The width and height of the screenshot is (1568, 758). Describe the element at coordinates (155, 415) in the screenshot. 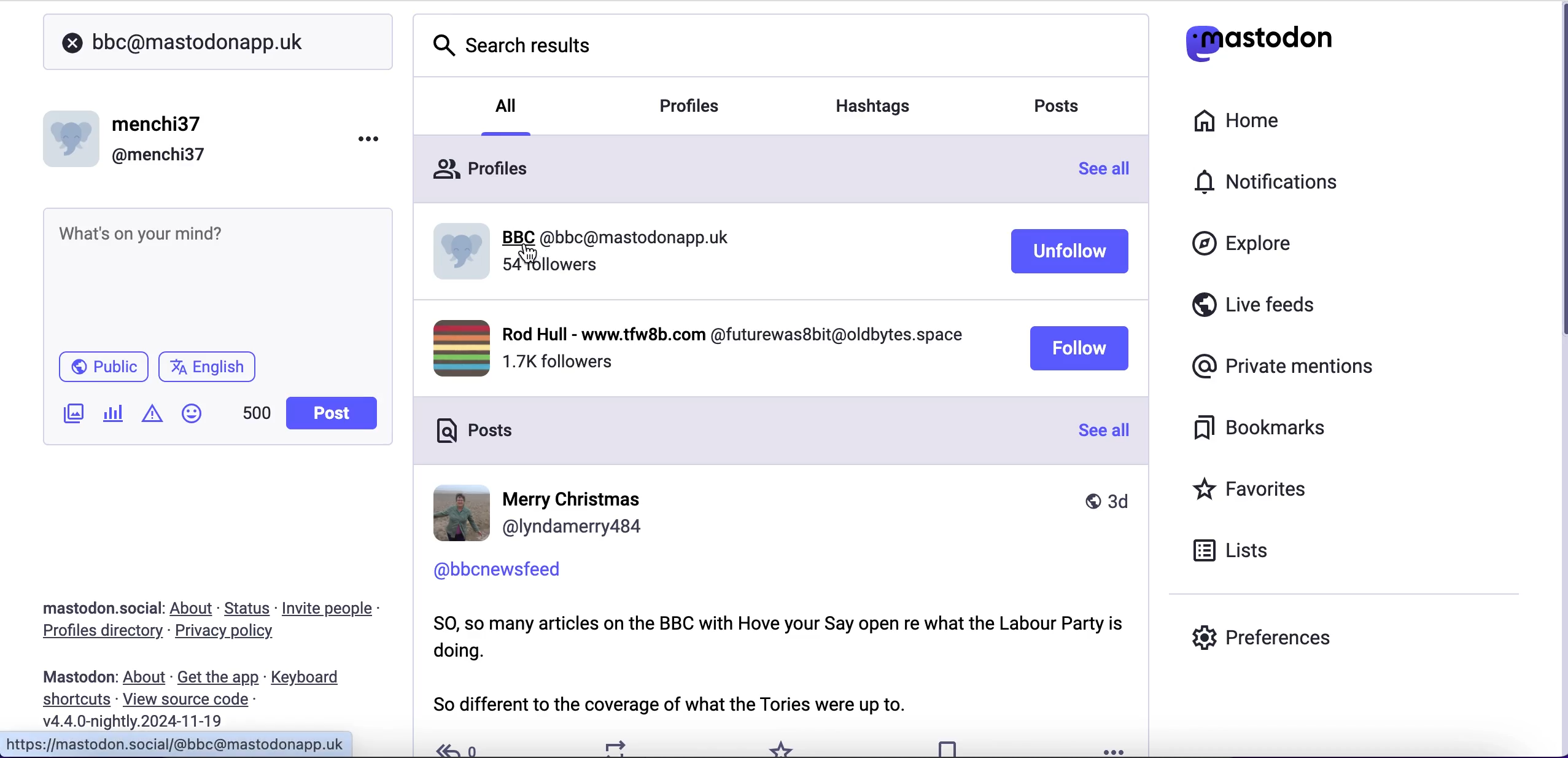

I see `add content warning` at that location.